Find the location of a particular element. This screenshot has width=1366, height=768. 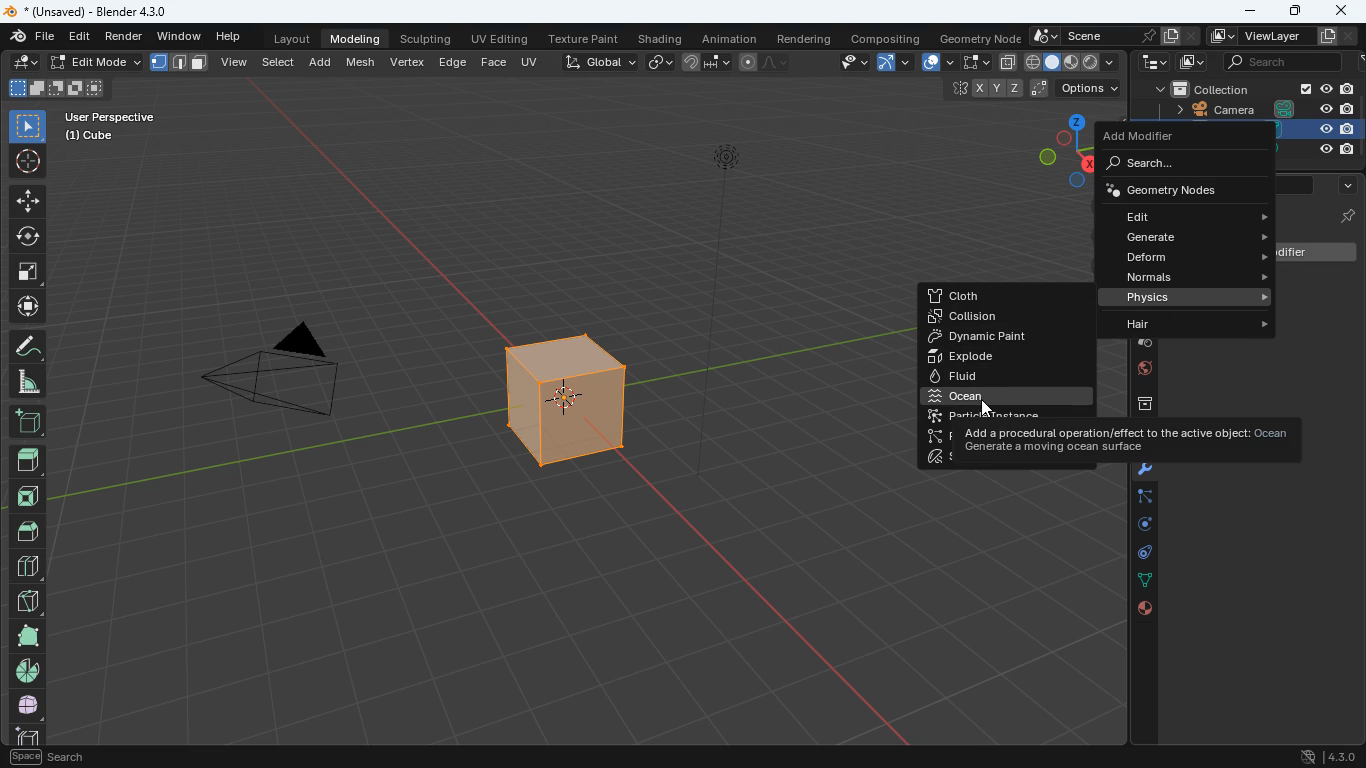

dimensions is located at coordinates (1065, 149).